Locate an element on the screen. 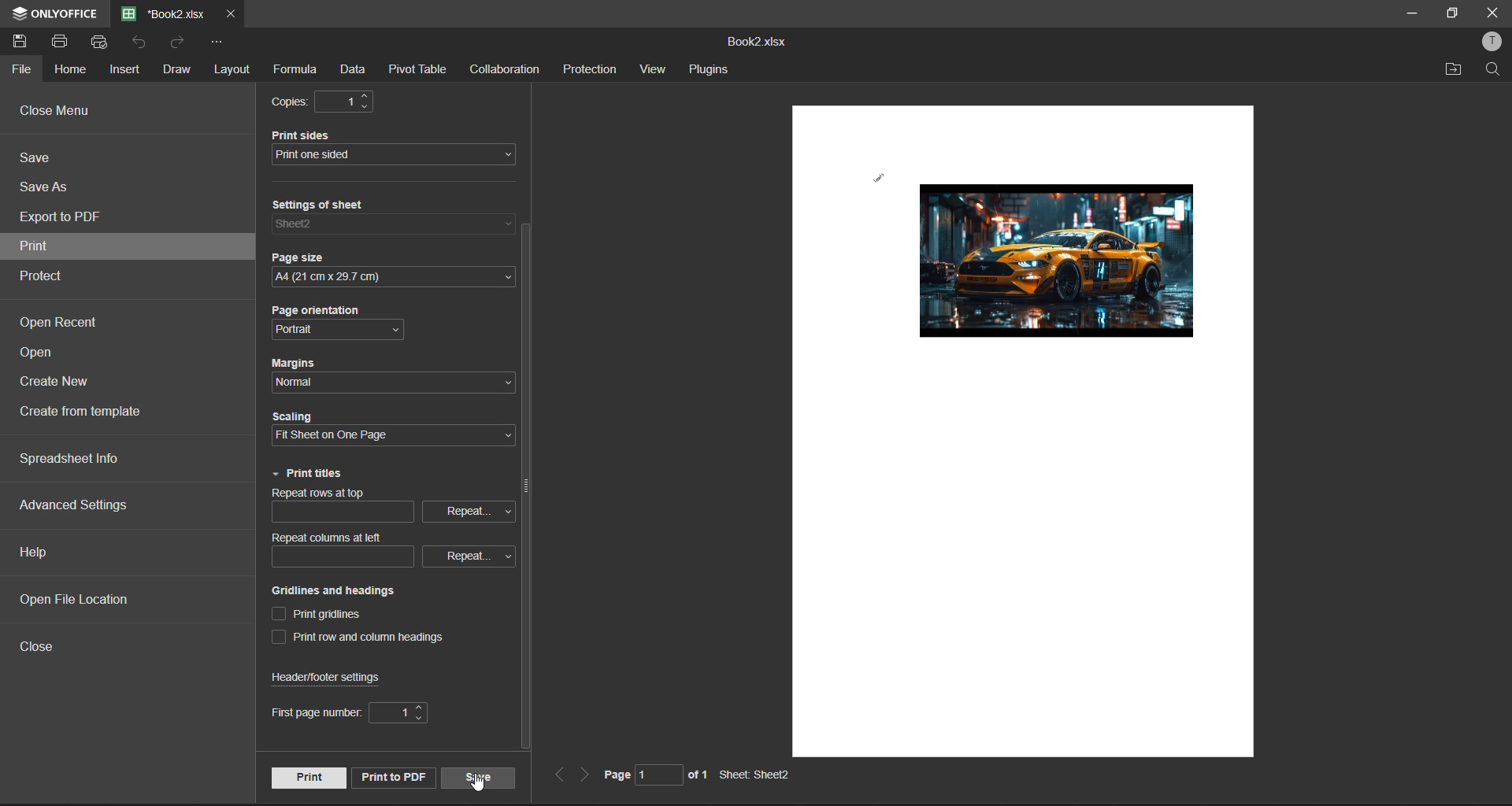 The height and width of the screenshot is (806, 1512). file is located at coordinates (24, 70).